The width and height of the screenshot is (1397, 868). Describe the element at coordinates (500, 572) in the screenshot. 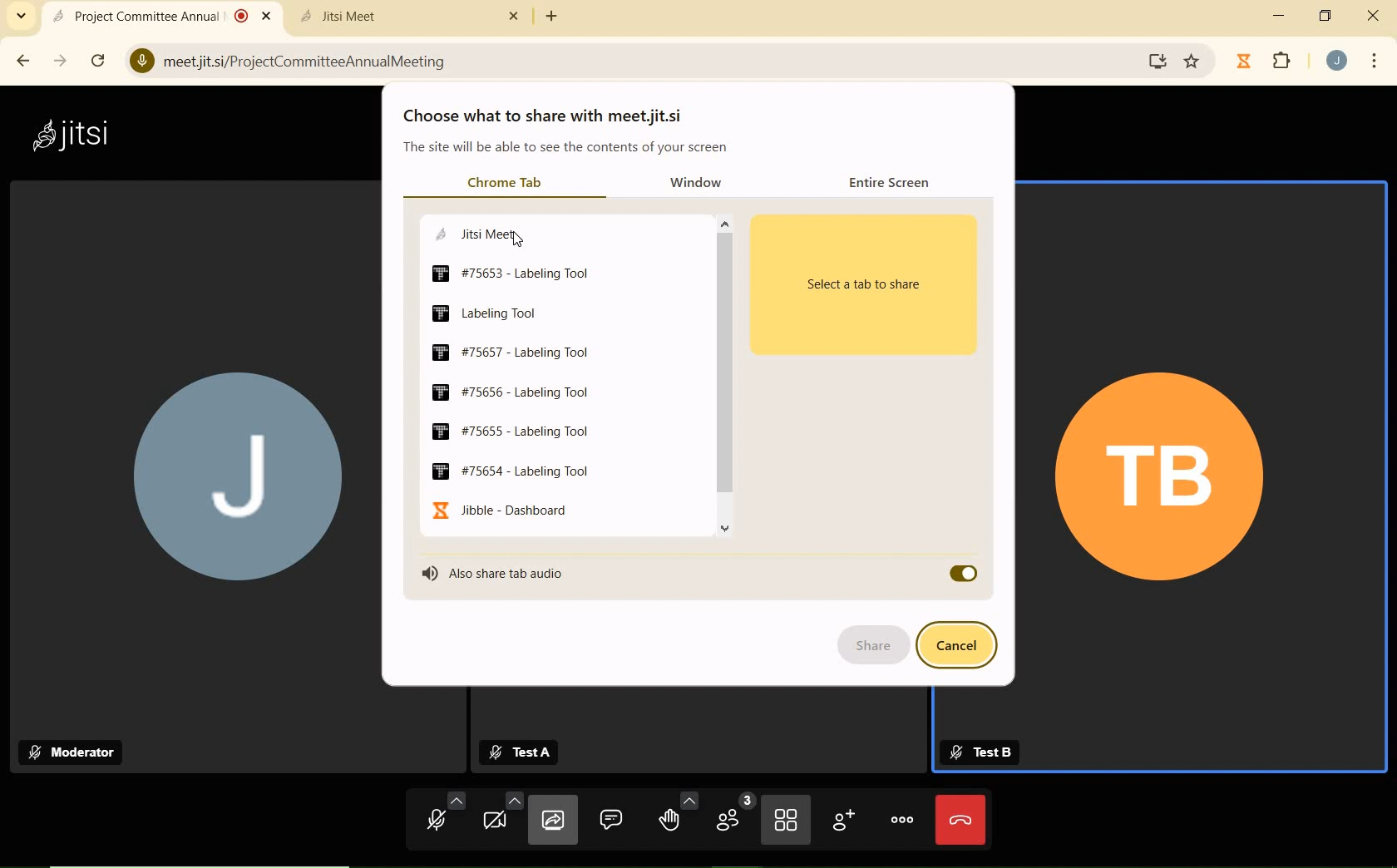

I see `also share tab audio` at that location.